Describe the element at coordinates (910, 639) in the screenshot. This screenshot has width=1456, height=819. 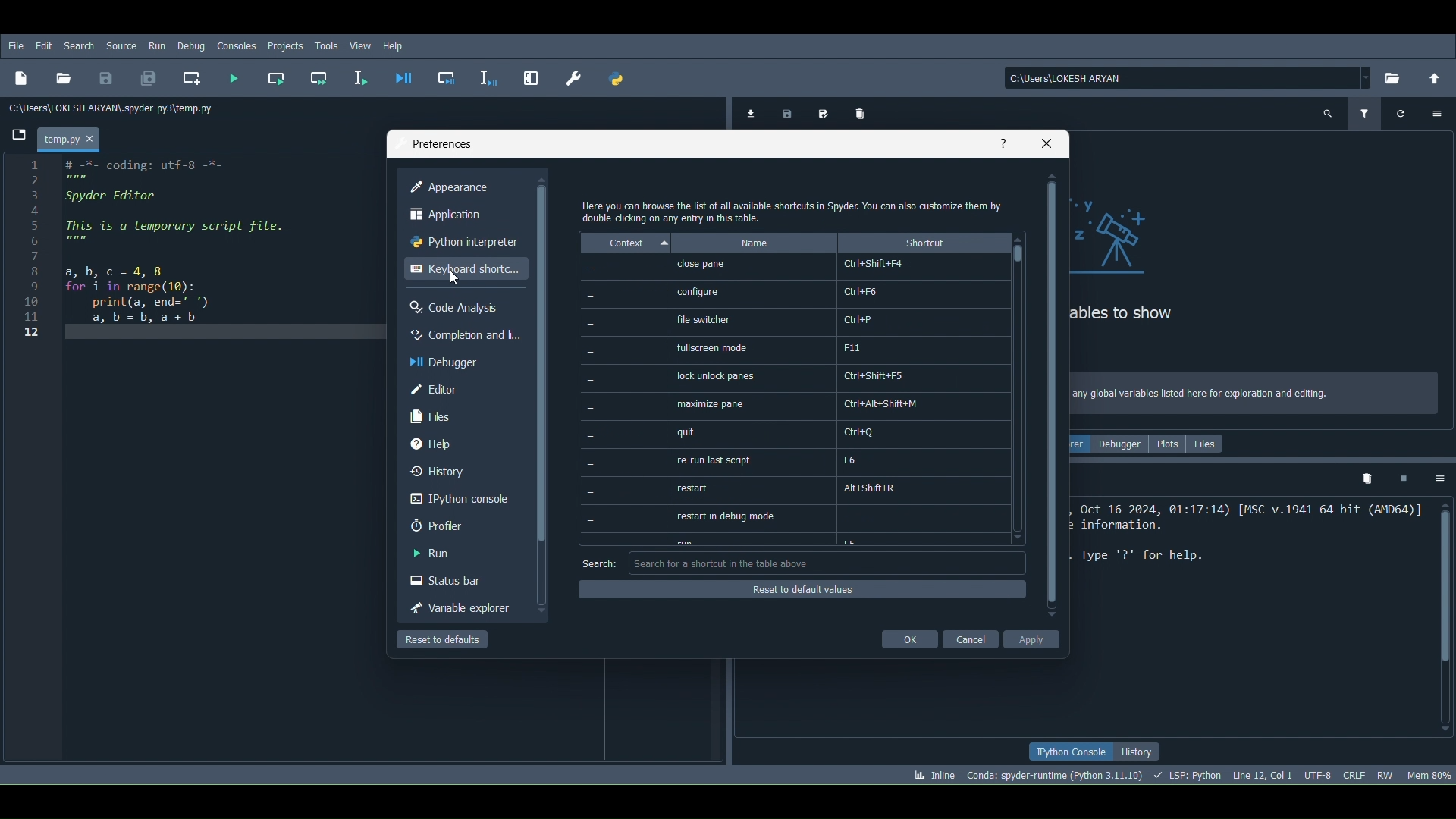
I see `Ok` at that location.